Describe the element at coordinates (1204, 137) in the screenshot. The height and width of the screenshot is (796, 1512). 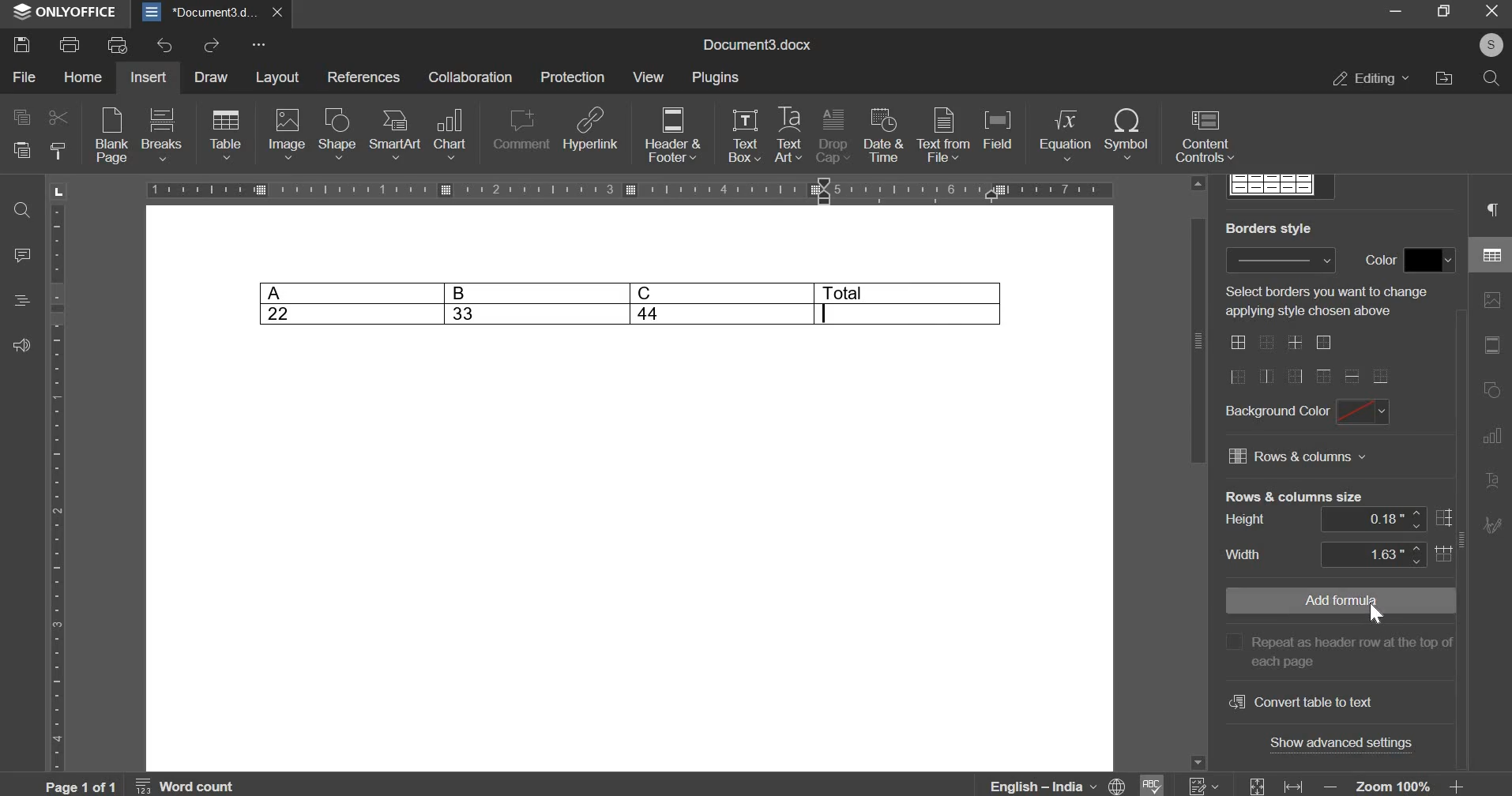
I see `content controls` at that location.